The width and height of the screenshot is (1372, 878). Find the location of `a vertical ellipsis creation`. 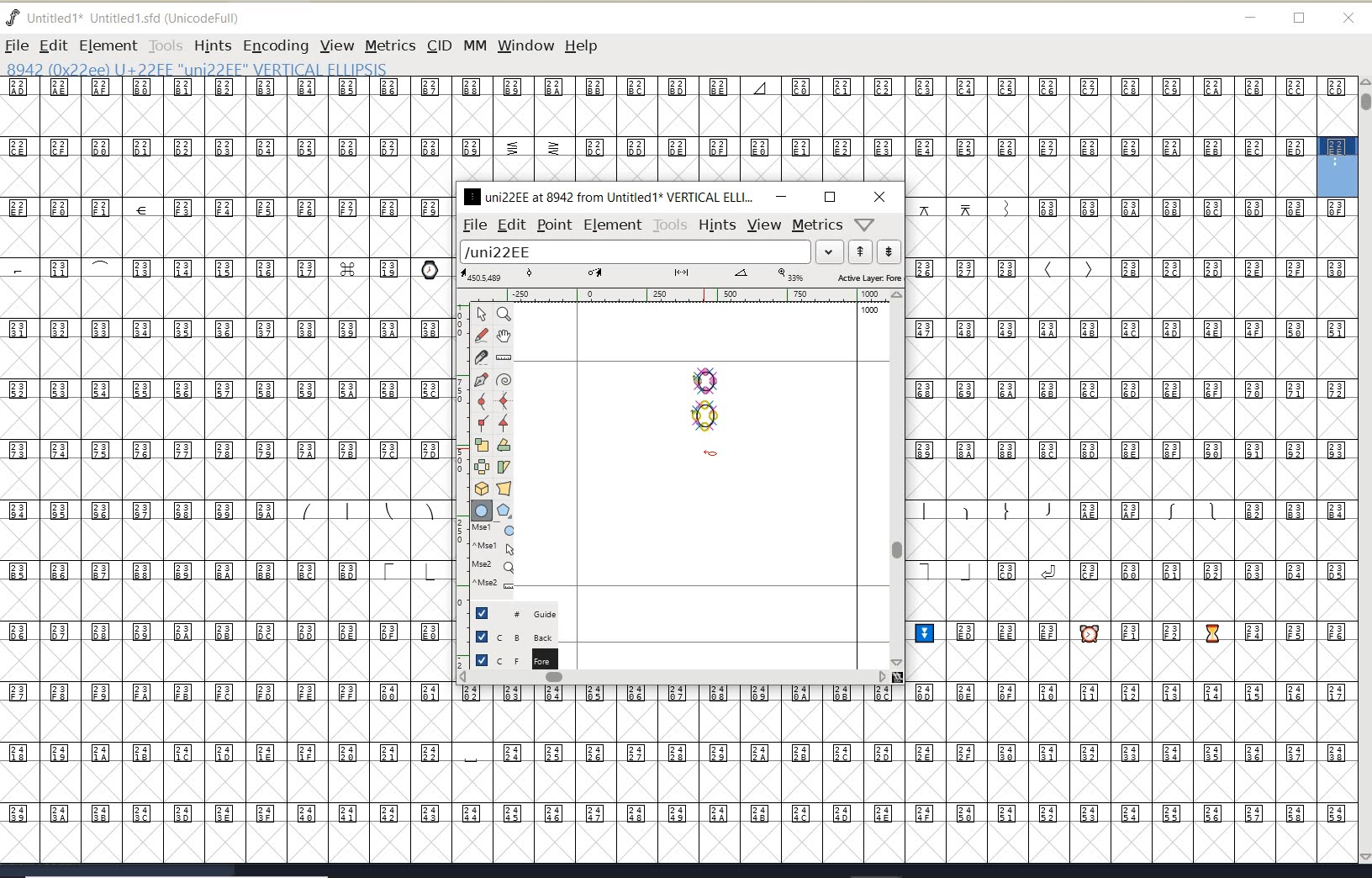

a vertical ellipsis creation is located at coordinates (704, 415).